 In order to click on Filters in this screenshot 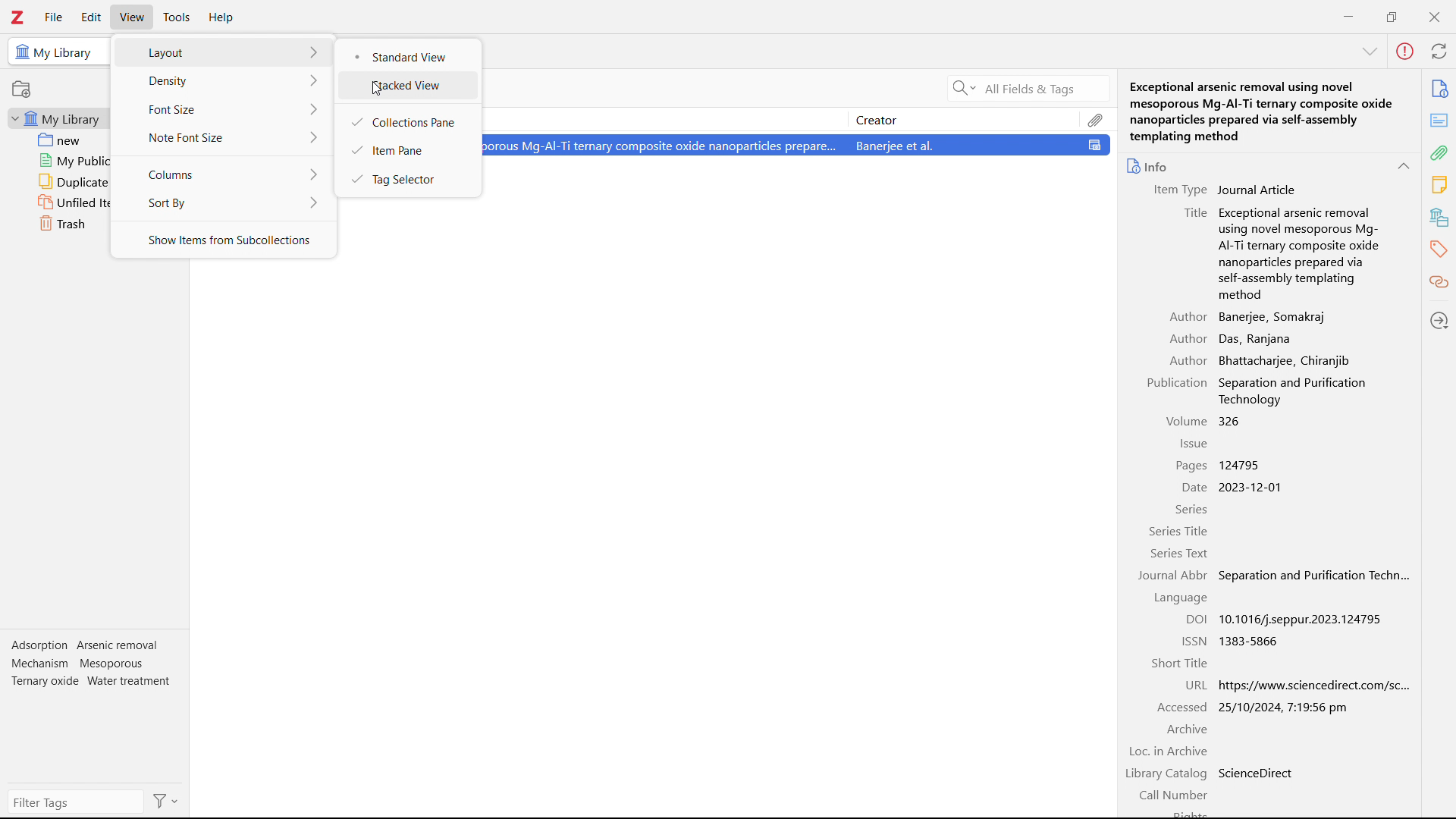, I will do `click(166, 801)`.